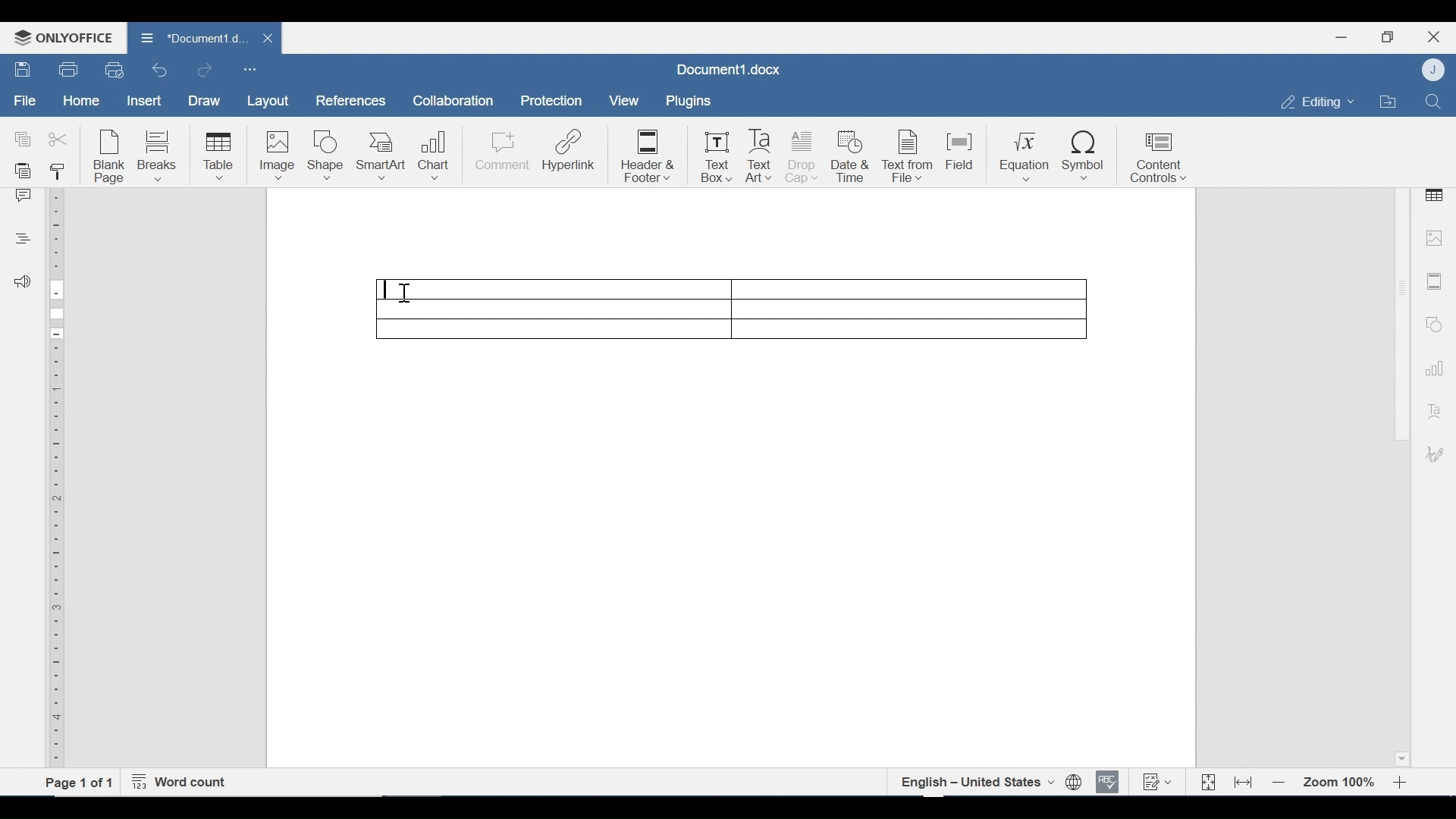 The width and height of the screenshot is (1456, 819). What do you see at coordinates (1403, 783) in the screenshot?
I see `Zoom in` at bounding box center [1403, 783].